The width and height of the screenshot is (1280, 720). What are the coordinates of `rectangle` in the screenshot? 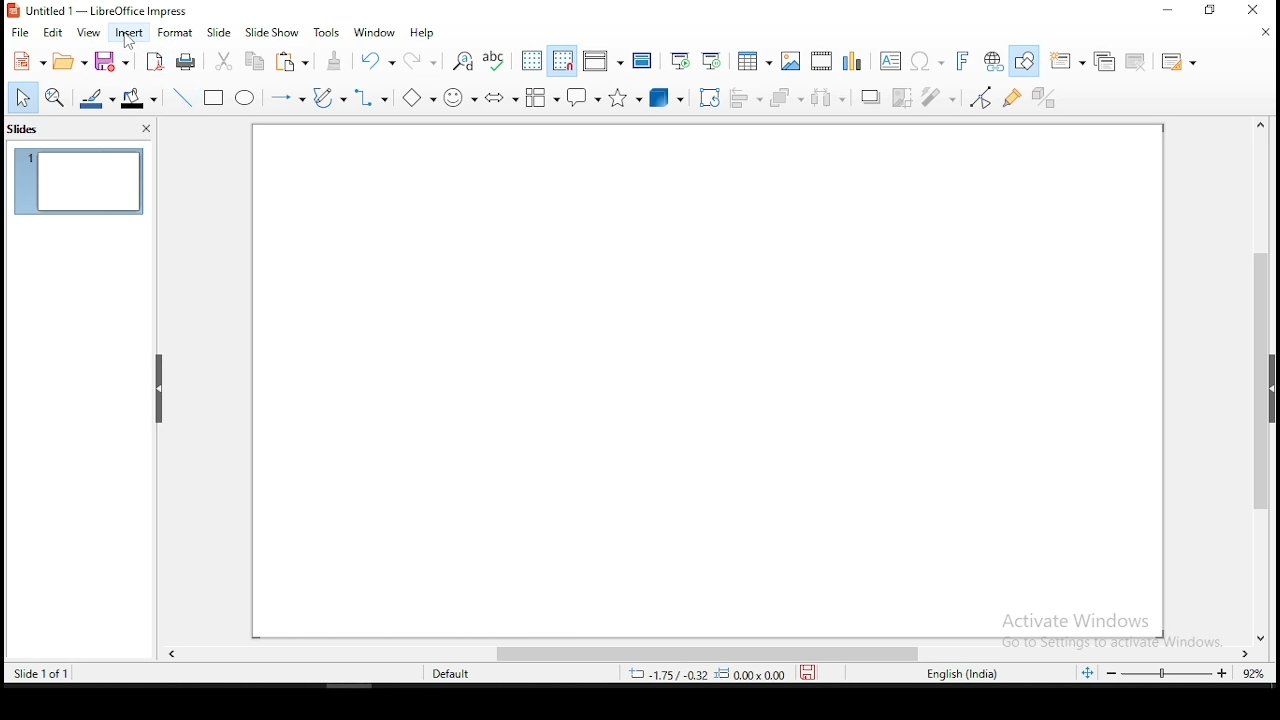 It's located at (215, 98).